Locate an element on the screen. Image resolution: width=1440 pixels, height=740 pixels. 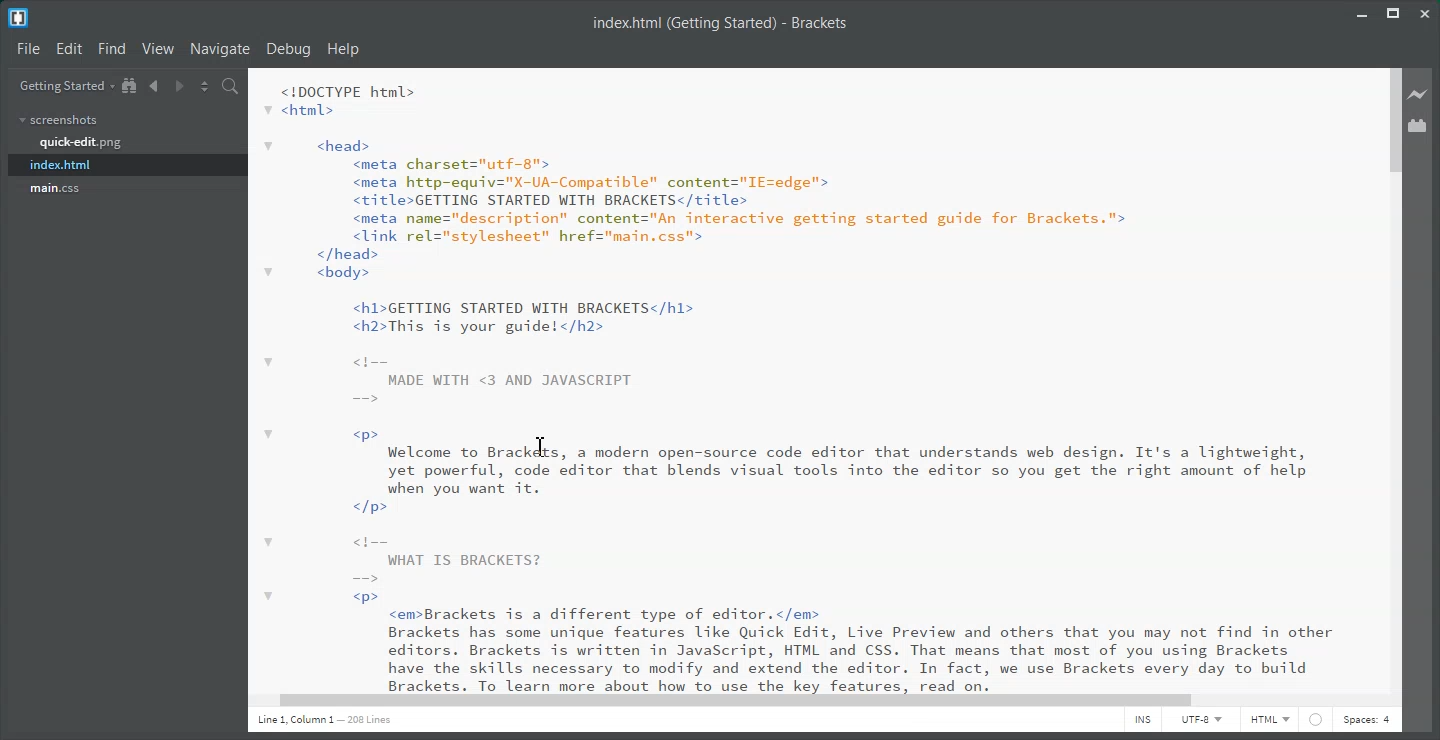
index.html (Getting Started) - Brackets is located at coordinates (719, 22).